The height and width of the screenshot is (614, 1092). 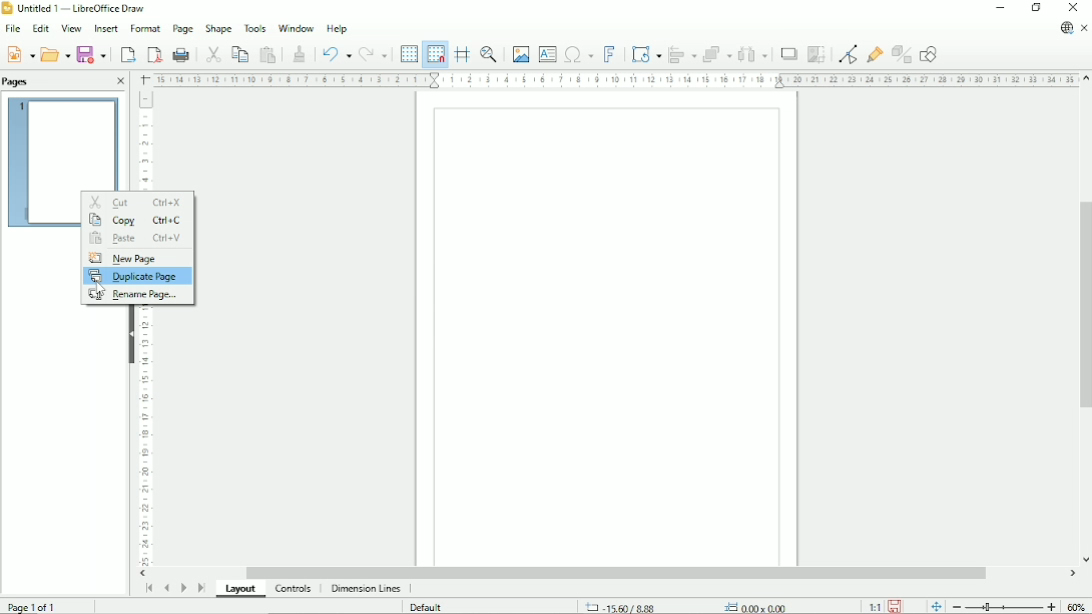 What do you see at coordinates (935, 605) in the screenshot?
I see `Fit page to current window` at bounding box center [935, 605].